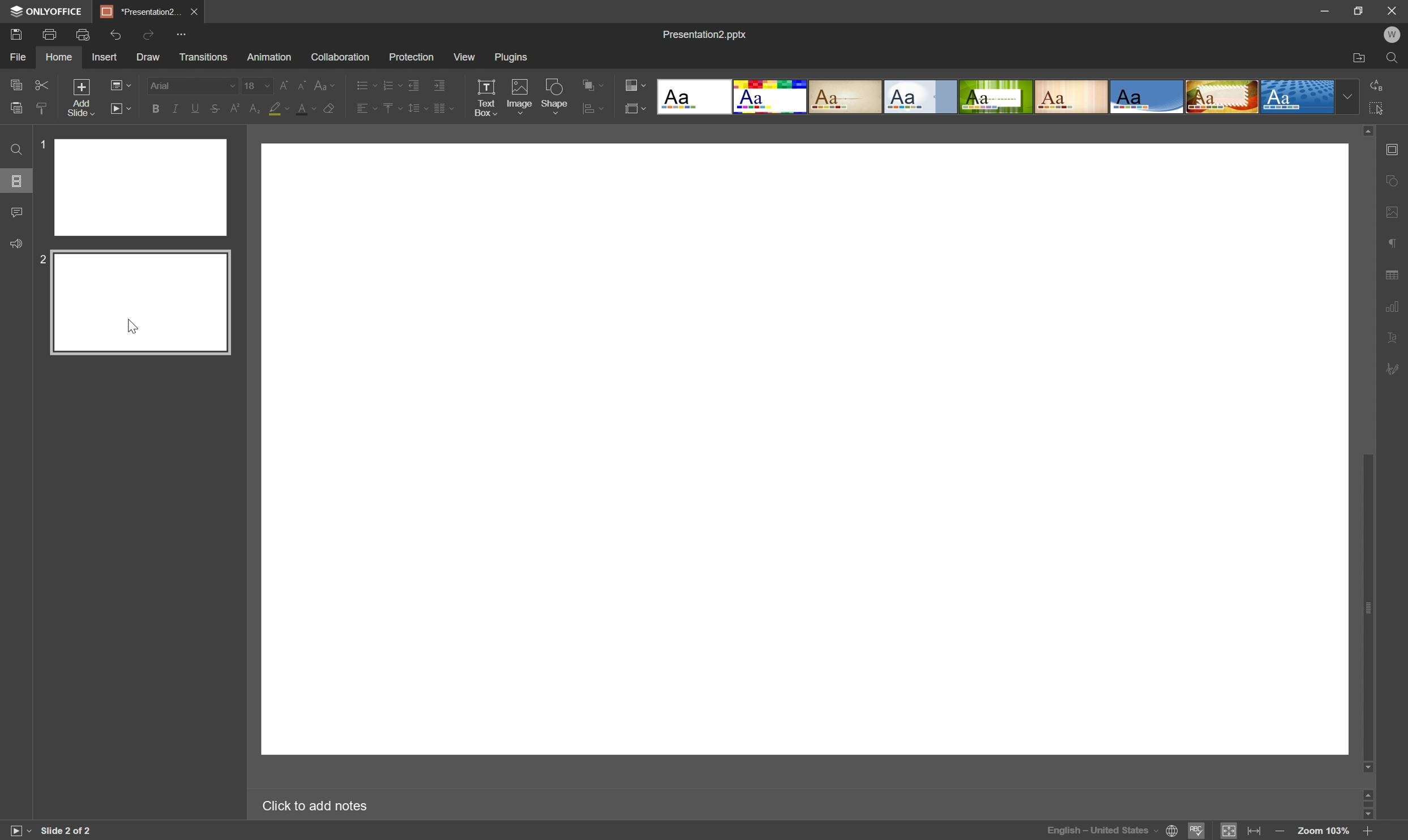 This screenshot has height=840, width=1408. What do you see at coordinates (213, 109) in the screenshot?
I see `Strikethrough` at bounding box center [213, 109].